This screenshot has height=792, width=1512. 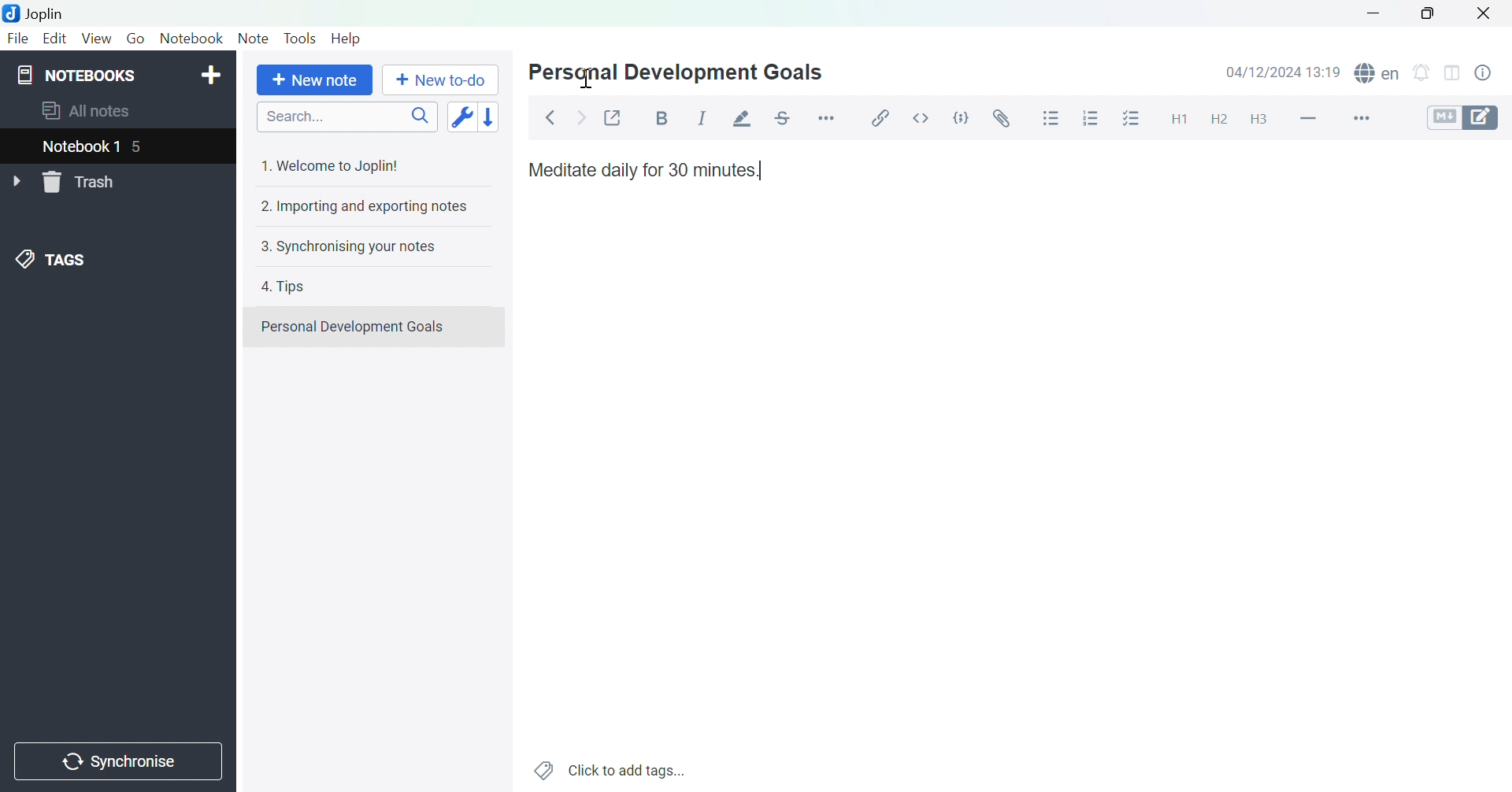 I want to click on Strikethrough, so click(x=786, y=115).